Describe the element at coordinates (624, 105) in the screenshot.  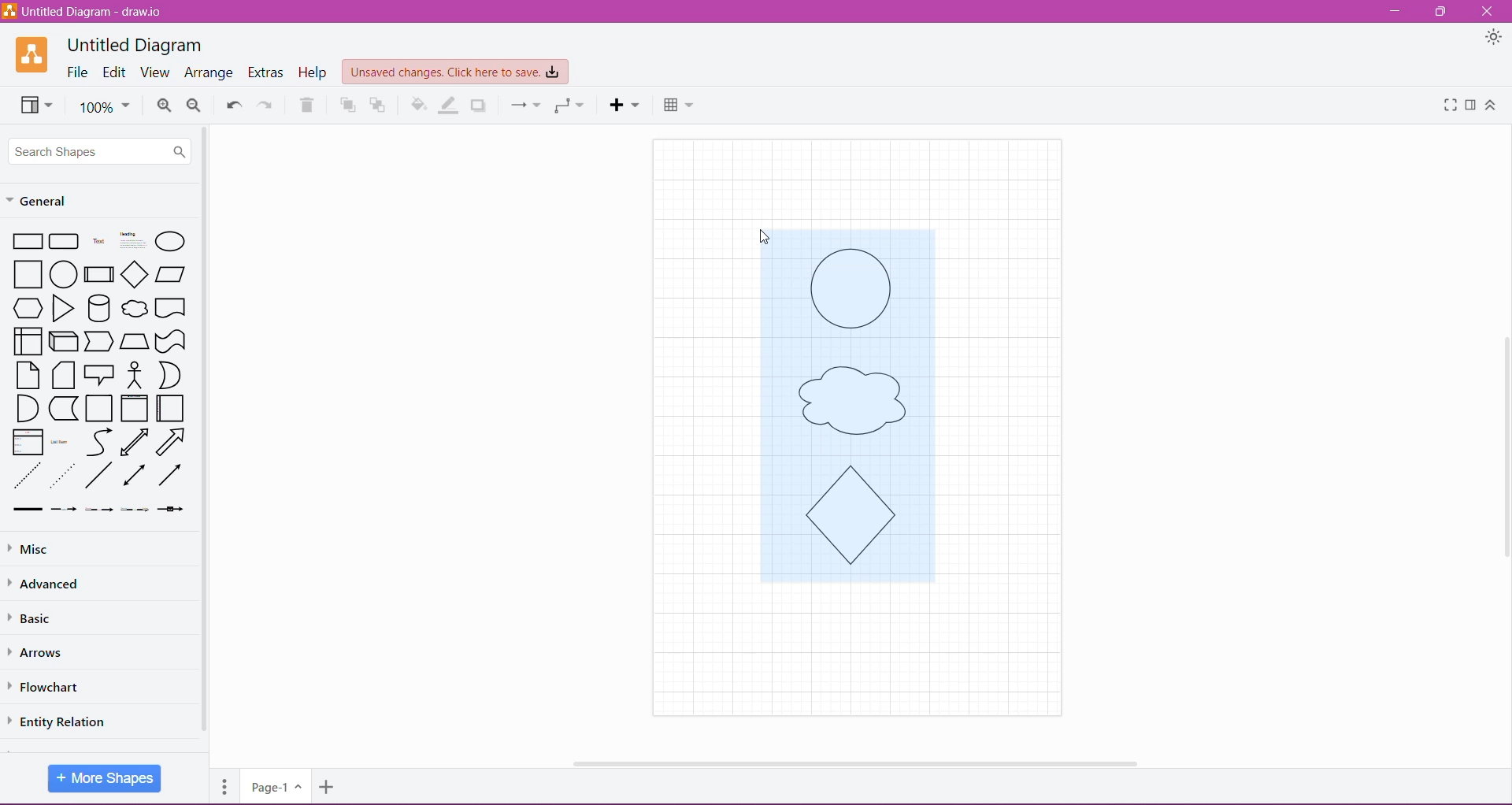
I see `Insert` at that location.